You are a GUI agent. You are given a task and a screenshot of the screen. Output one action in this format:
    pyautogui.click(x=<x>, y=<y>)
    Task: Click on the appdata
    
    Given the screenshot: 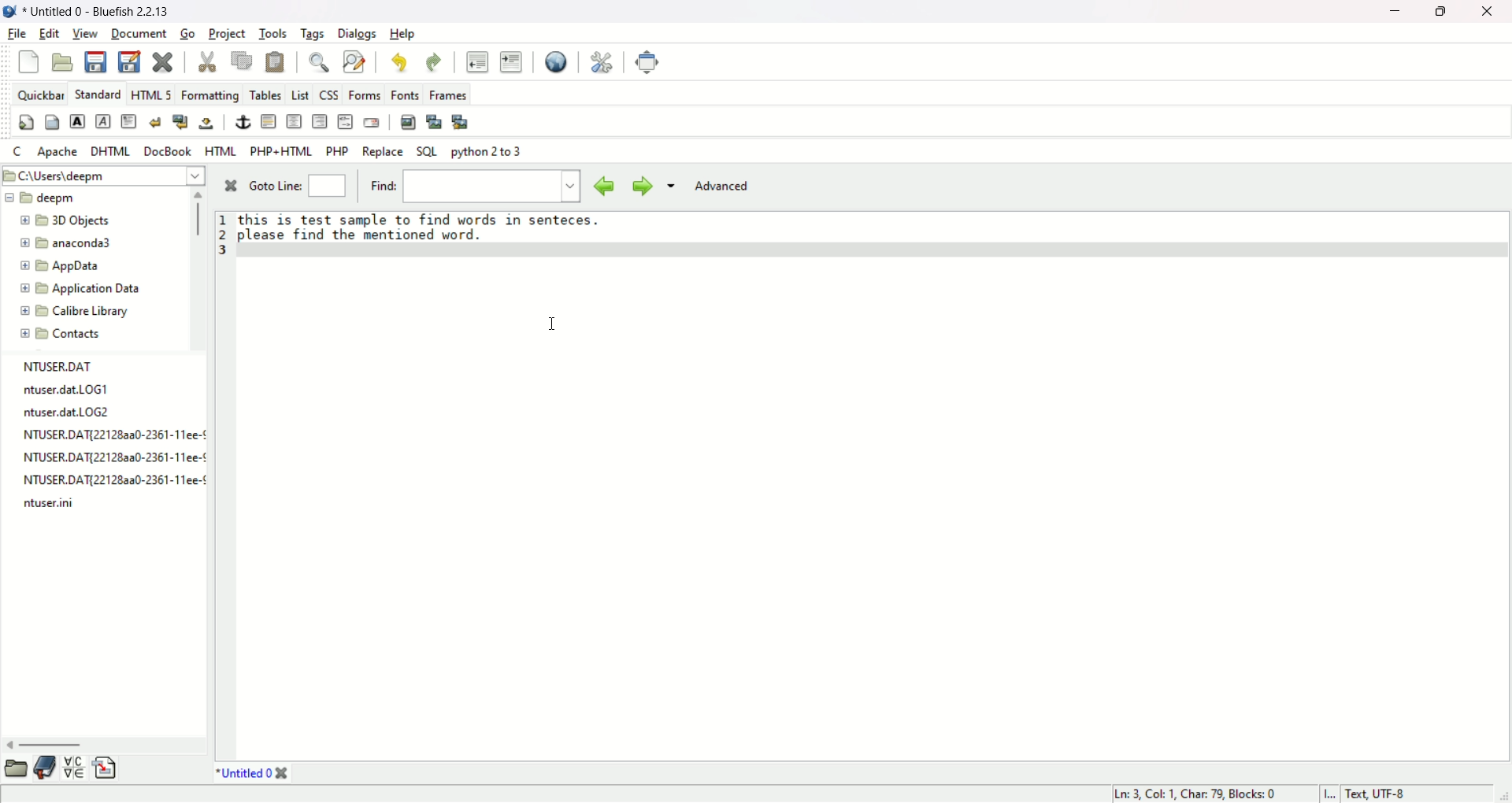 What is the action you would take?
    pyautogui.click(x=58, y=265)
    